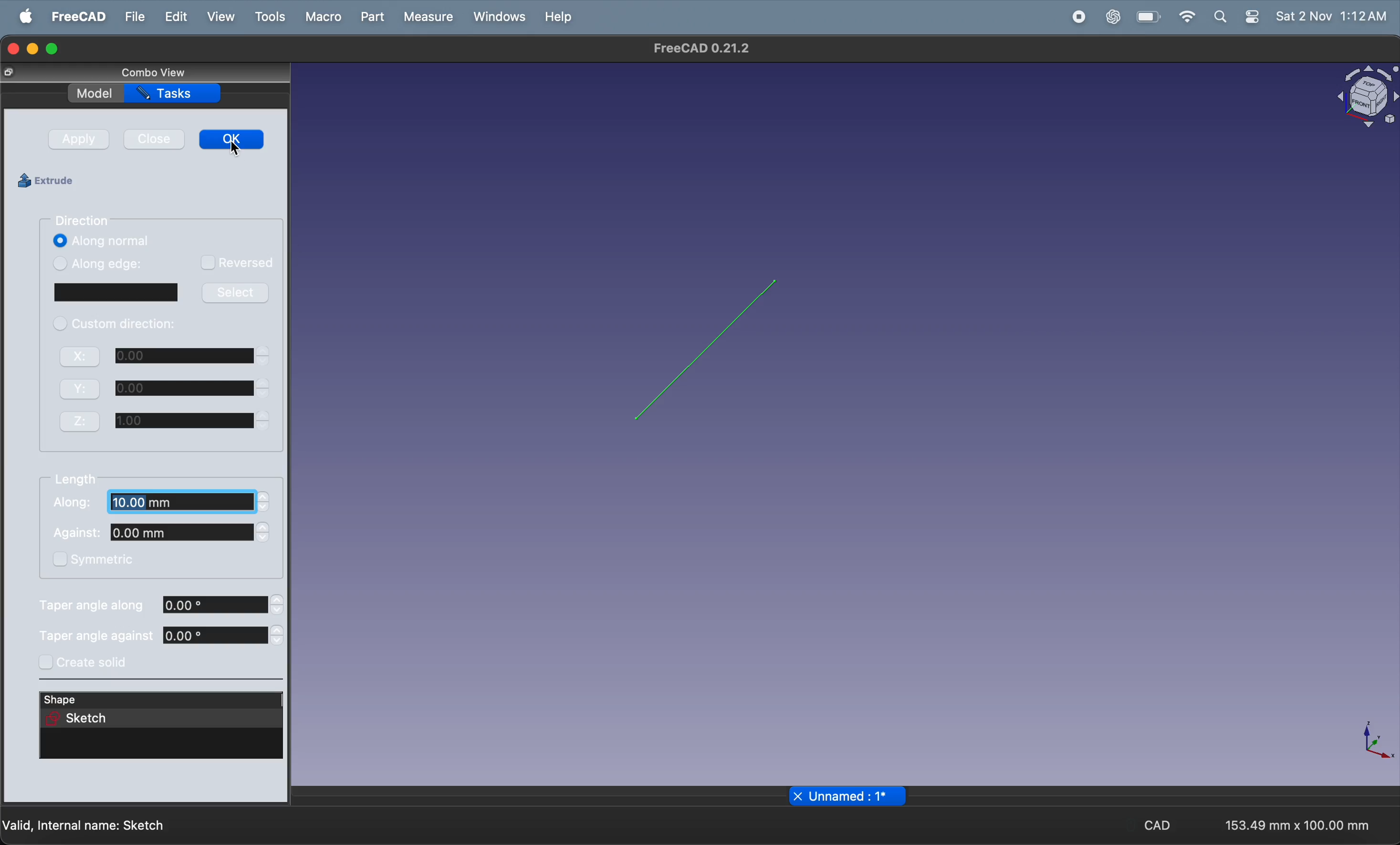 The image size is (1400, 845). What do you see at coordinates (1149, 17) in the screenshot?
I see `battery` at bounding box center [1149, 17].